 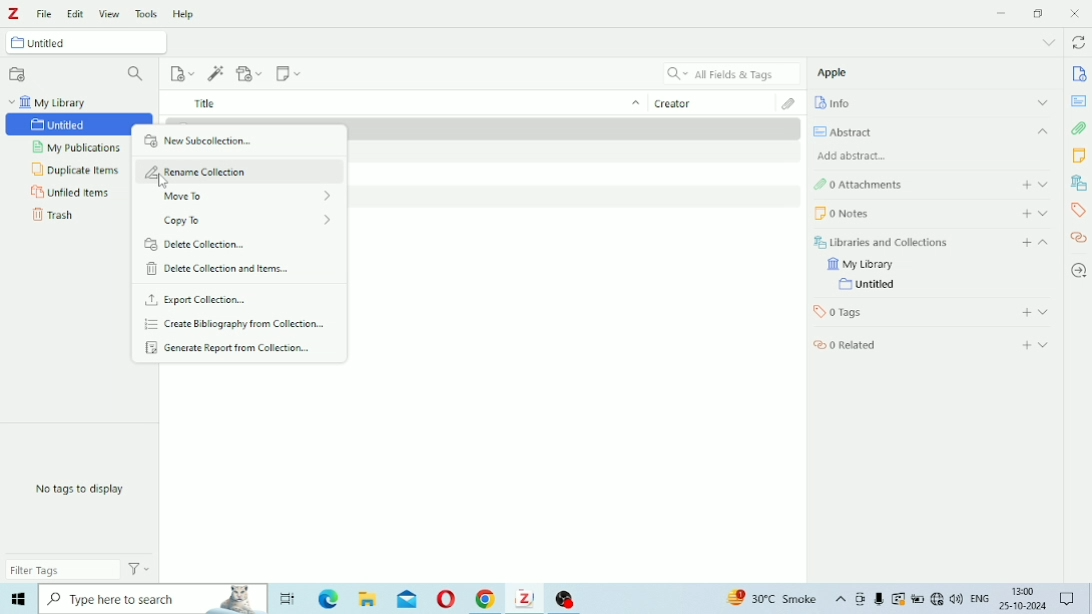 I want to click on Filter Collections, so click(x=137, y=73).